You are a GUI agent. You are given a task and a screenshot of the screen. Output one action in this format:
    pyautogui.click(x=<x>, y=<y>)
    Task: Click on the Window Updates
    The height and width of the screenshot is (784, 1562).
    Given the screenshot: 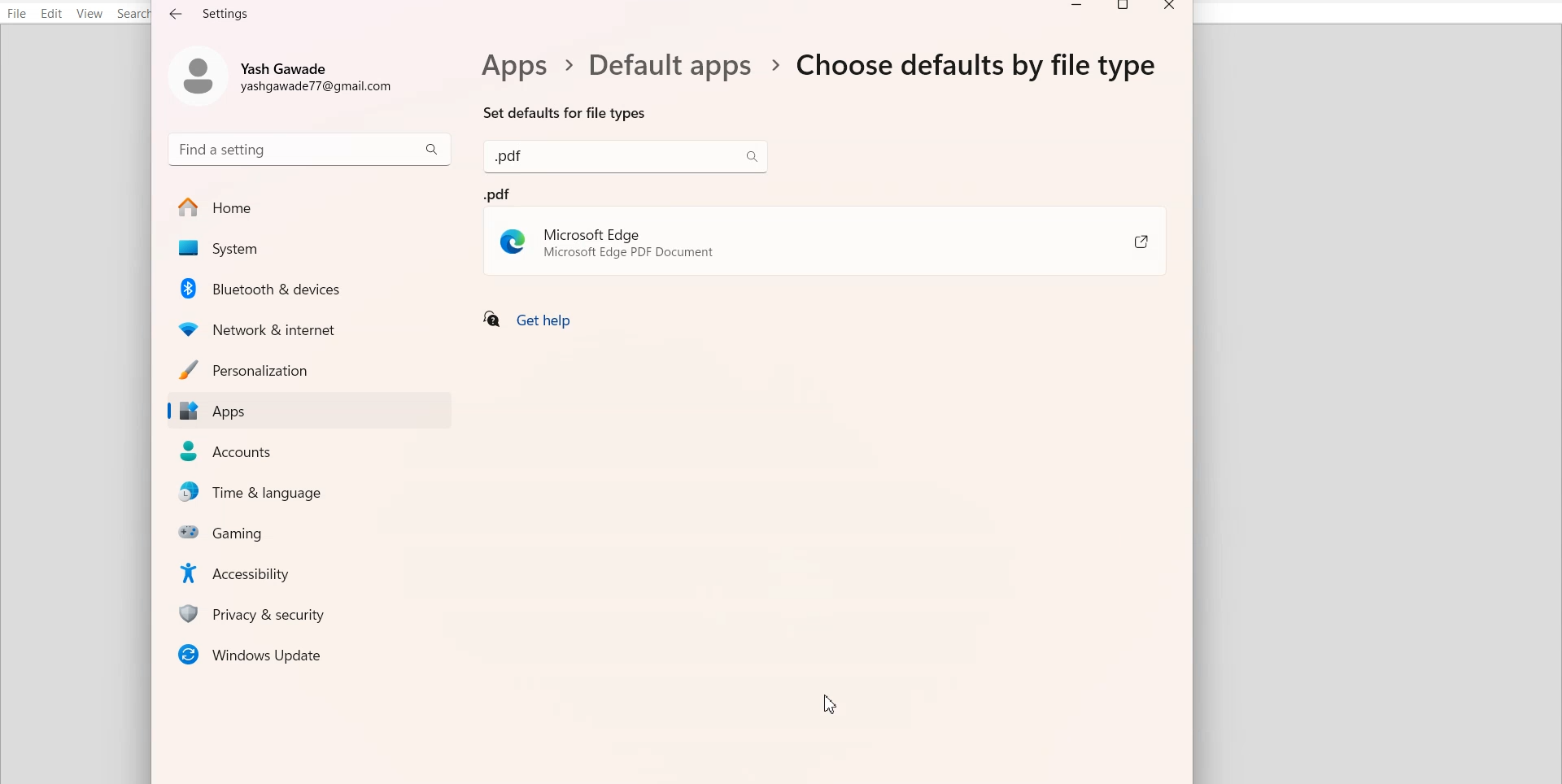 What is the action you would take?
    pyautogui.click(x=308, y=654)
    